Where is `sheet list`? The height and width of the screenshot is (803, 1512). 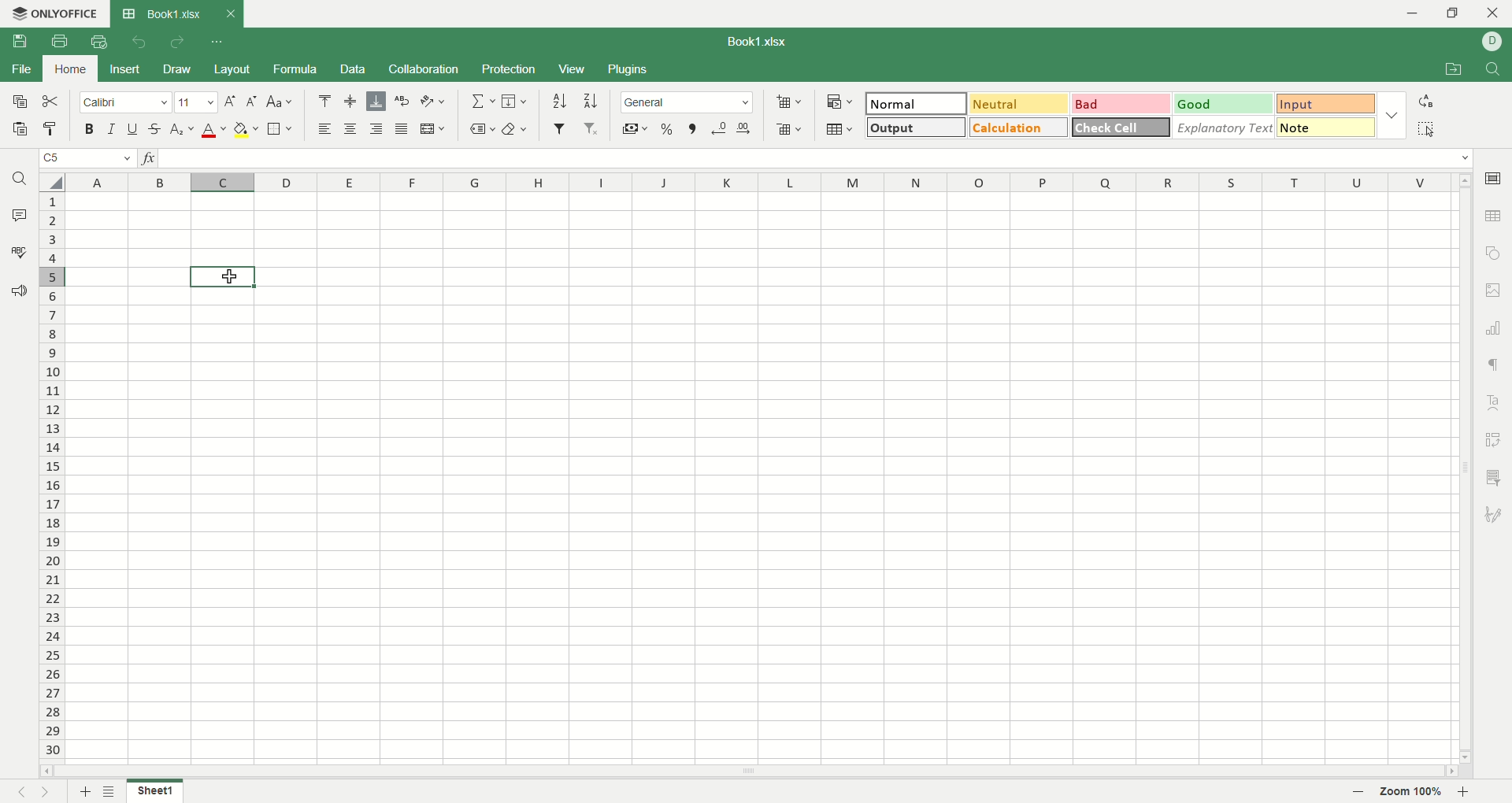 sheet list is located at coordinates (113, 790).